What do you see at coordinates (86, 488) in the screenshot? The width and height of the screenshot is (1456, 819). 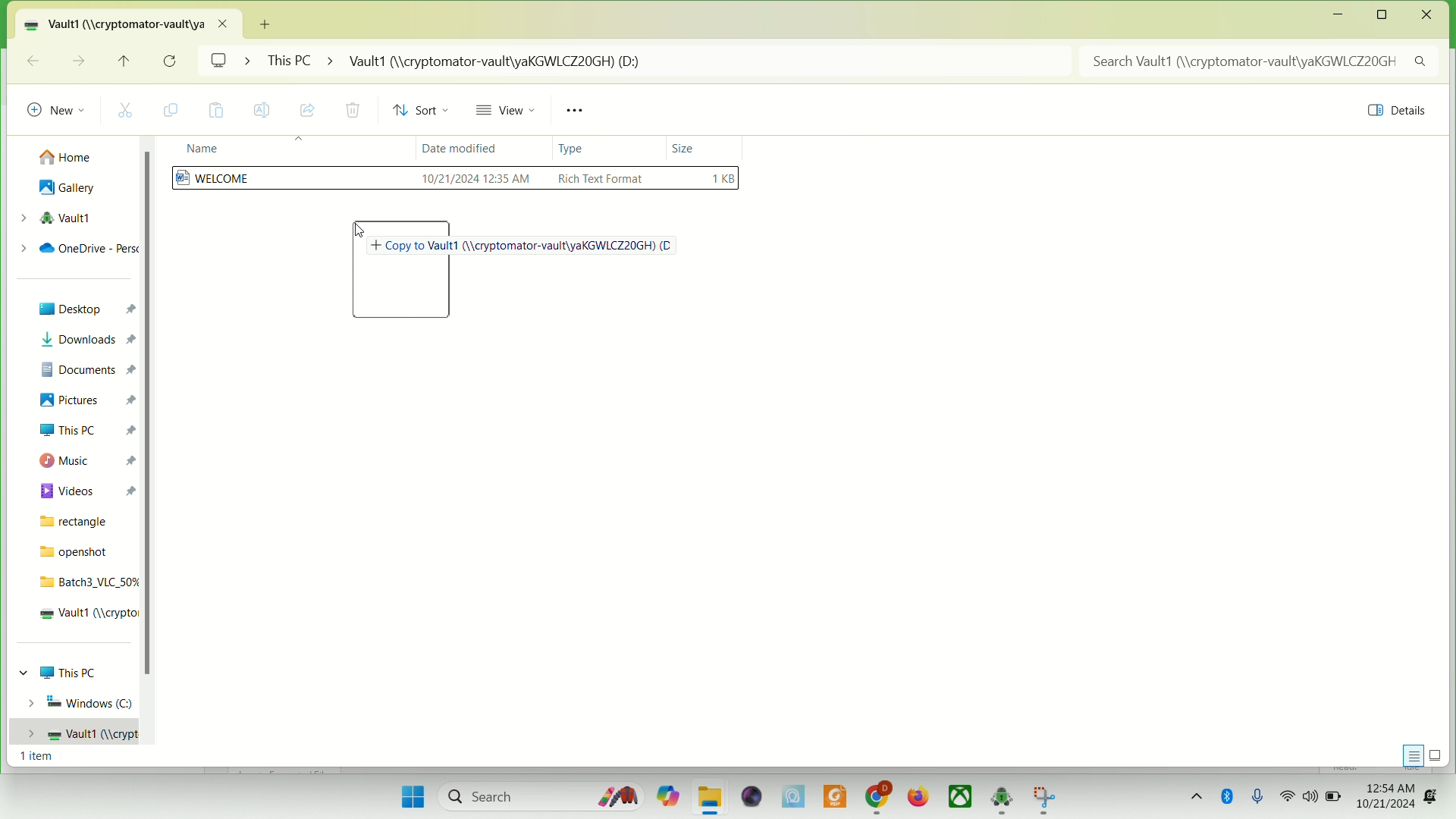 I see `videos` at bounding box center [86, 488].